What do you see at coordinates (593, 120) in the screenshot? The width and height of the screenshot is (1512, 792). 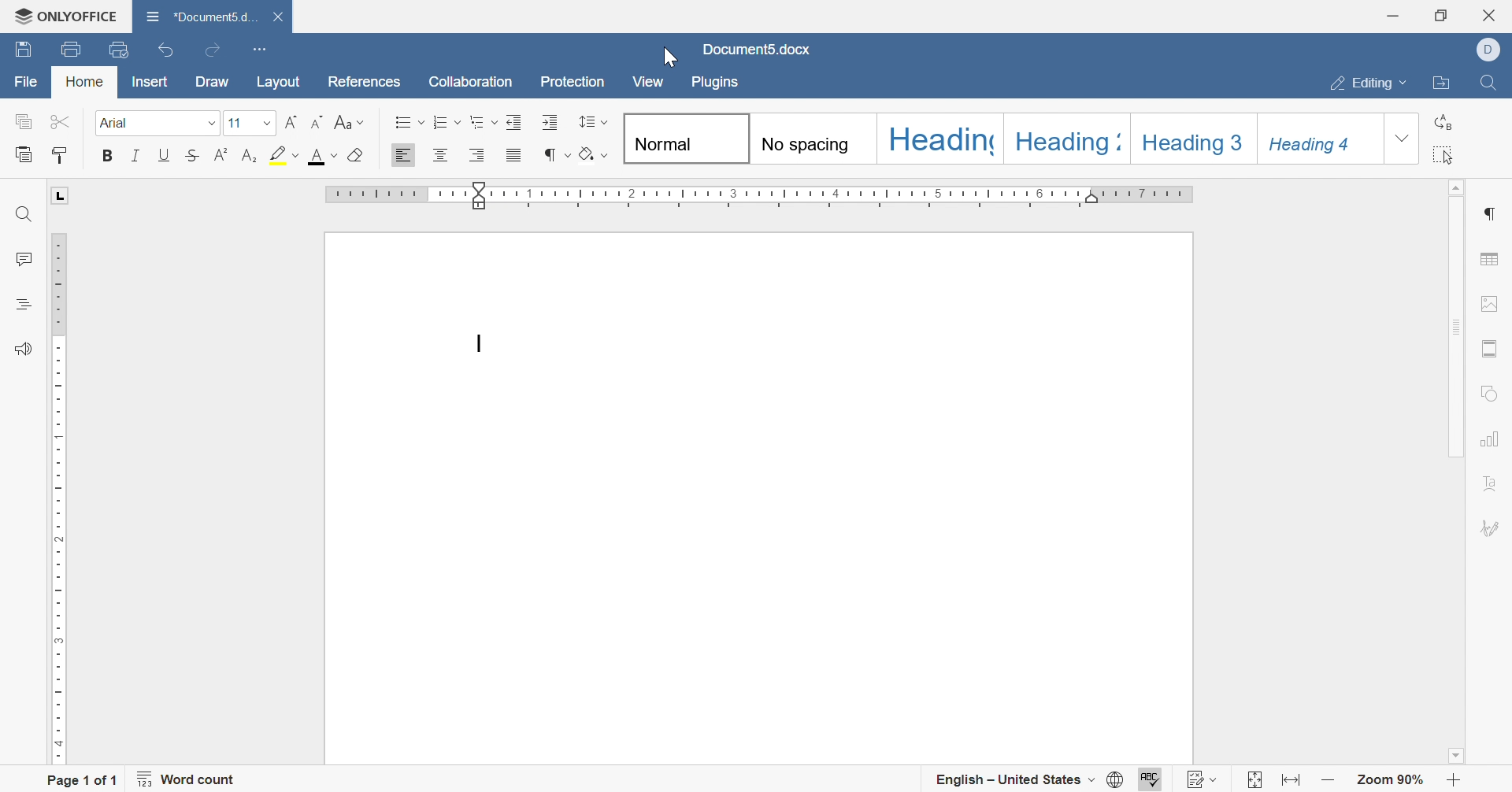 I see `line spacing` at bounding box center [593, 120].